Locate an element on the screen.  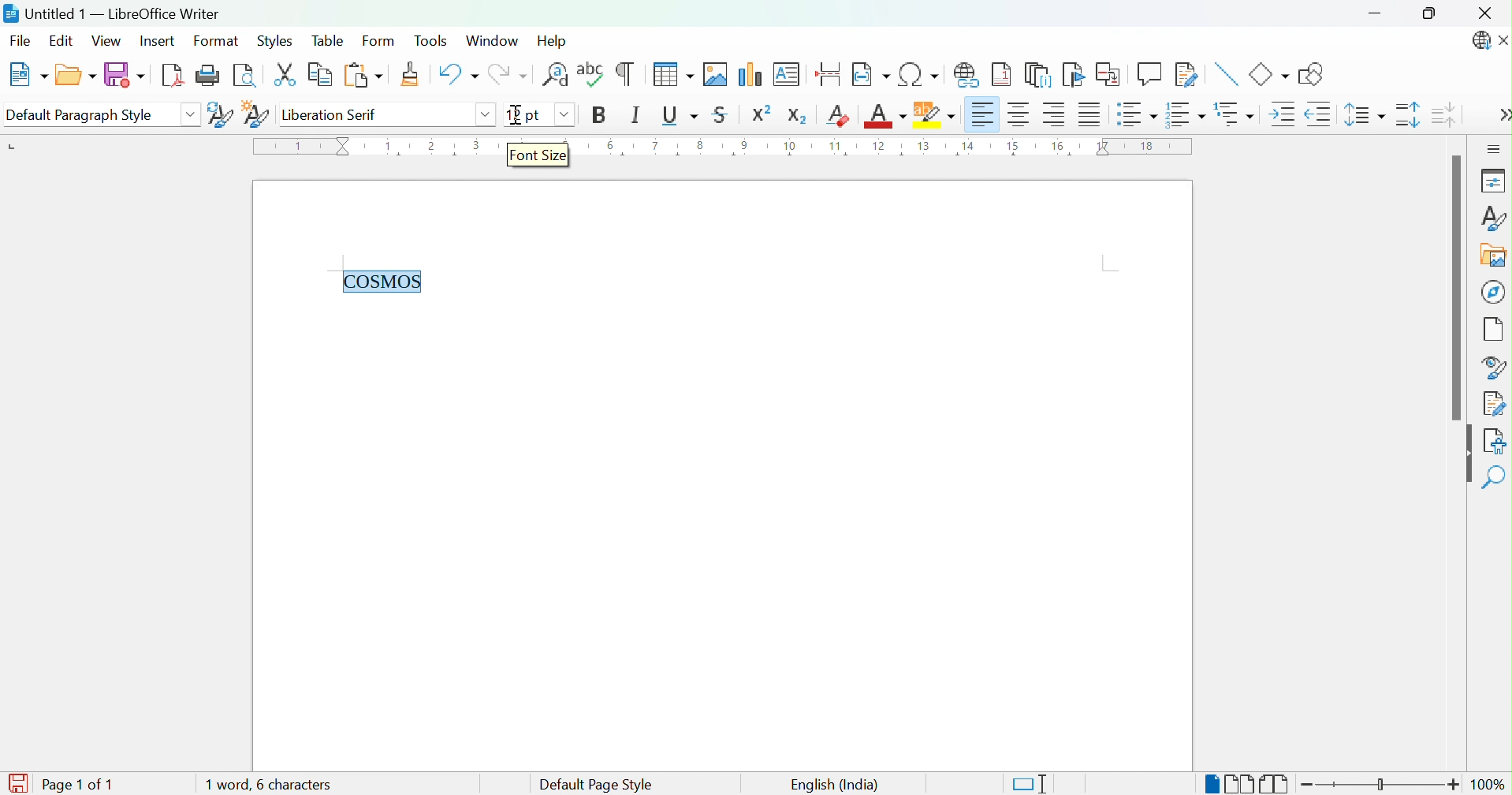
Window is located at coordinates (495, 42).